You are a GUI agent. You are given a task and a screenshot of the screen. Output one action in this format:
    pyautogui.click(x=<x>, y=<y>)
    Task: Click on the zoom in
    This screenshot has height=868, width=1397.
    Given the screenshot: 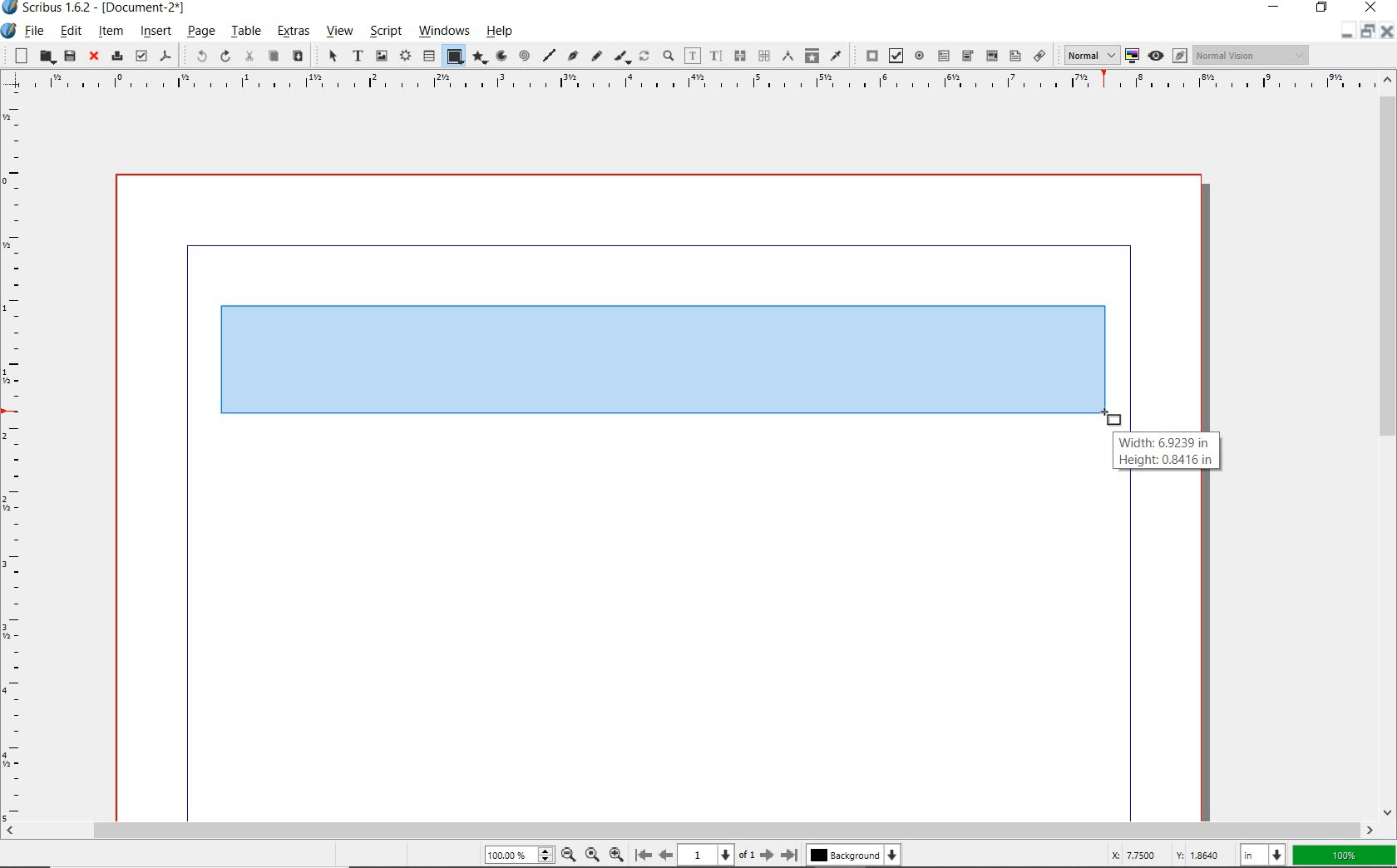 What is the action you would take?
    pyautogui.click(x=568, y=854)
    